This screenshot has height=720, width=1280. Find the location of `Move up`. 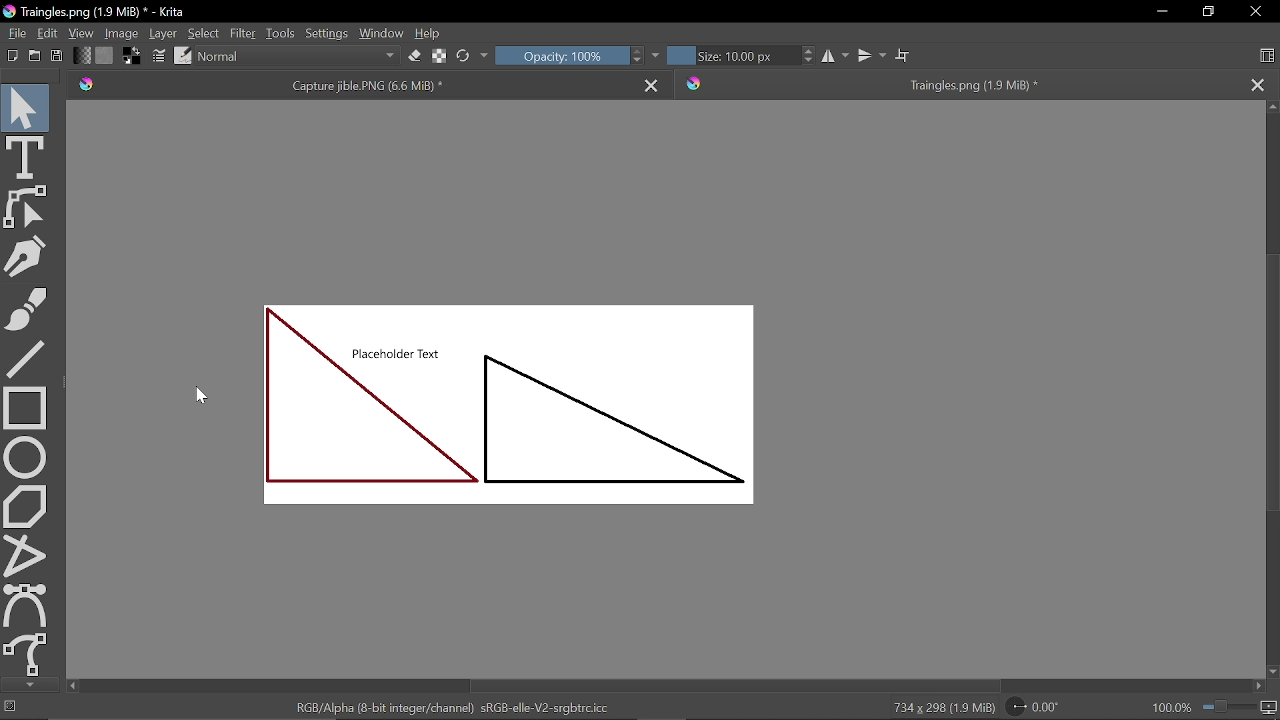

Move up is located at coordinates (1272, 109).